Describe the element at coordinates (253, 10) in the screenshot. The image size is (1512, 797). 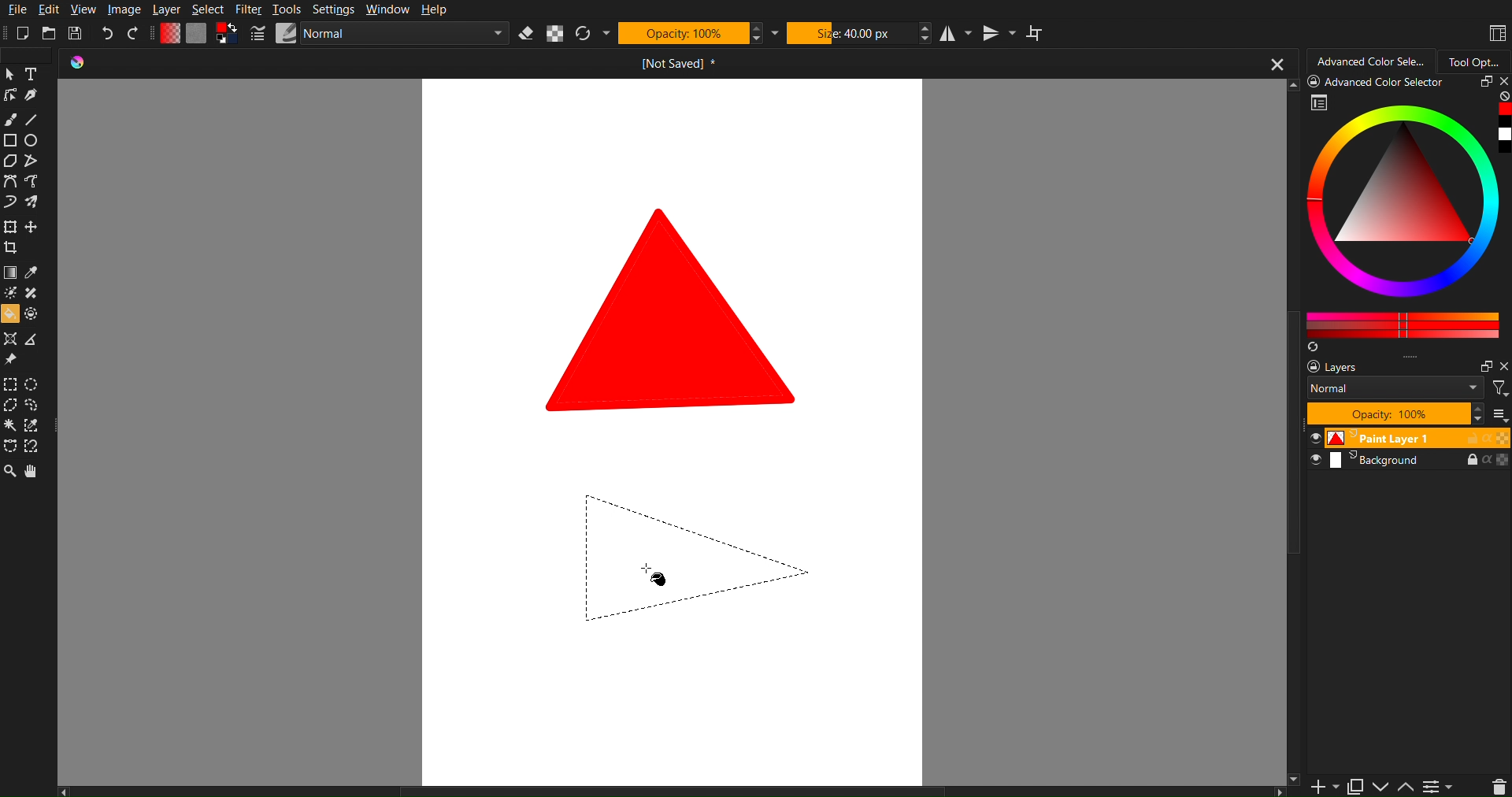
I see `Filter` at that location.